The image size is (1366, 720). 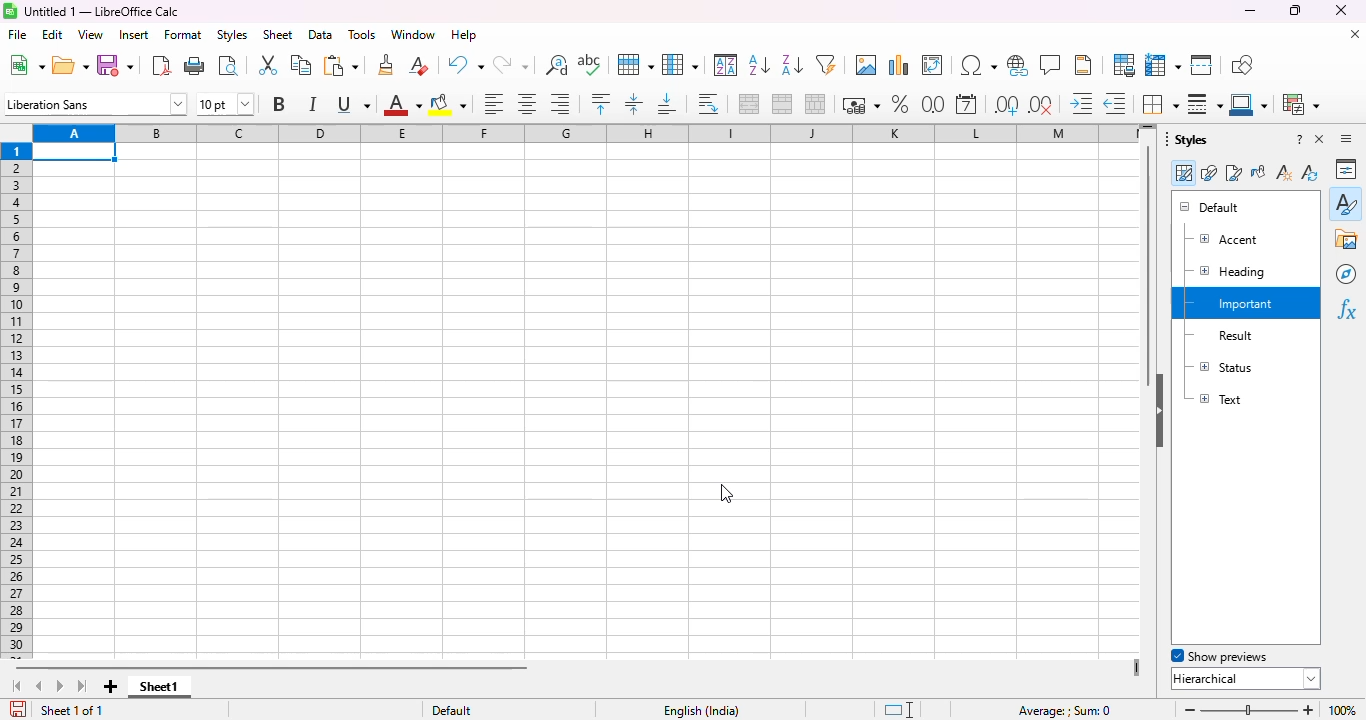 I want to click on cursor, so click(x=727, y=494).